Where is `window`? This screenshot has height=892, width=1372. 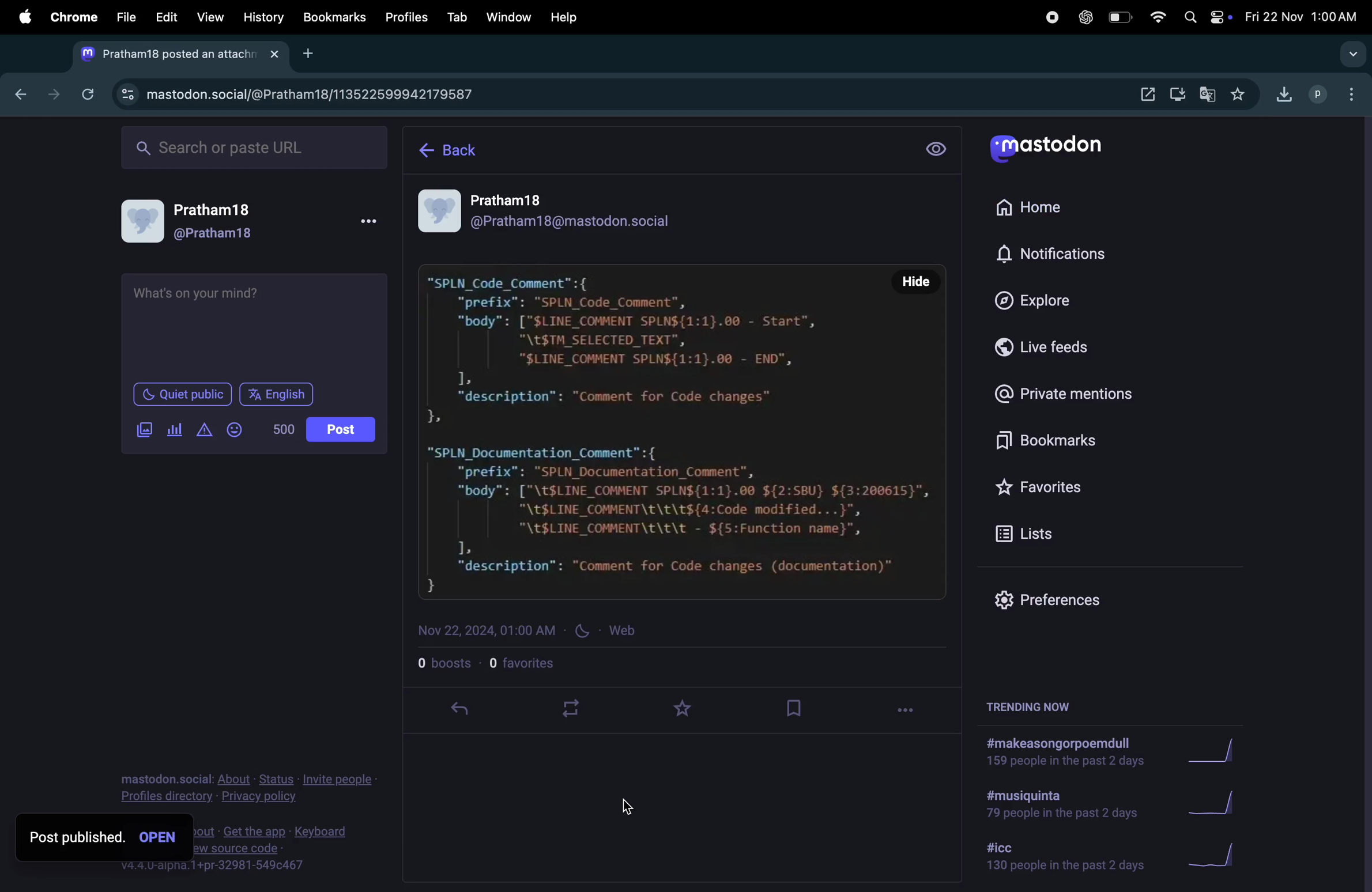 window is located at coordinates (509, 18).